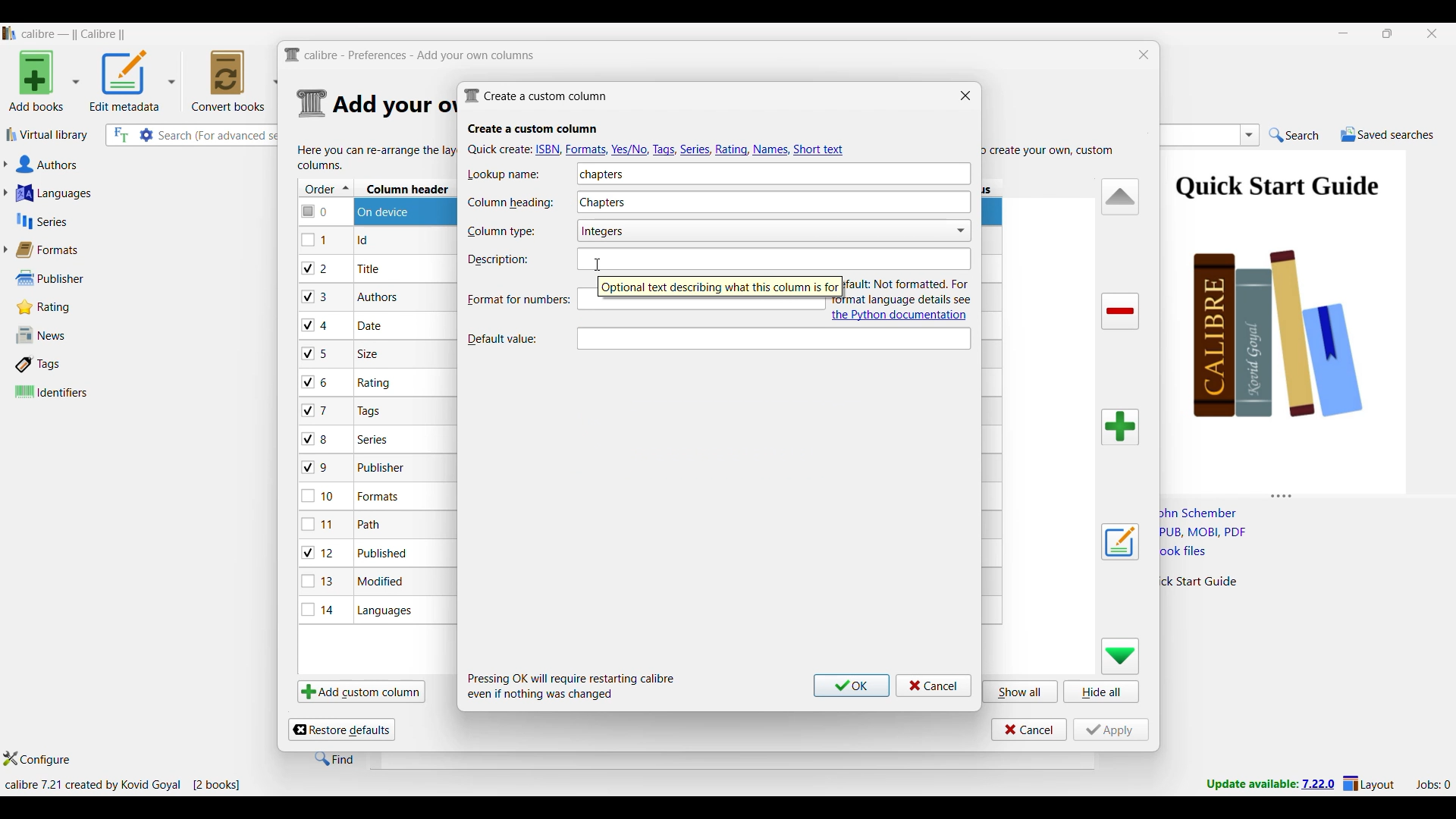 The width and height of the screenshot is (1456, 819). What do you see at coordinates (1432, 33) in the screenshot?
I see `Close interface` at bounding box center [1432, 33].